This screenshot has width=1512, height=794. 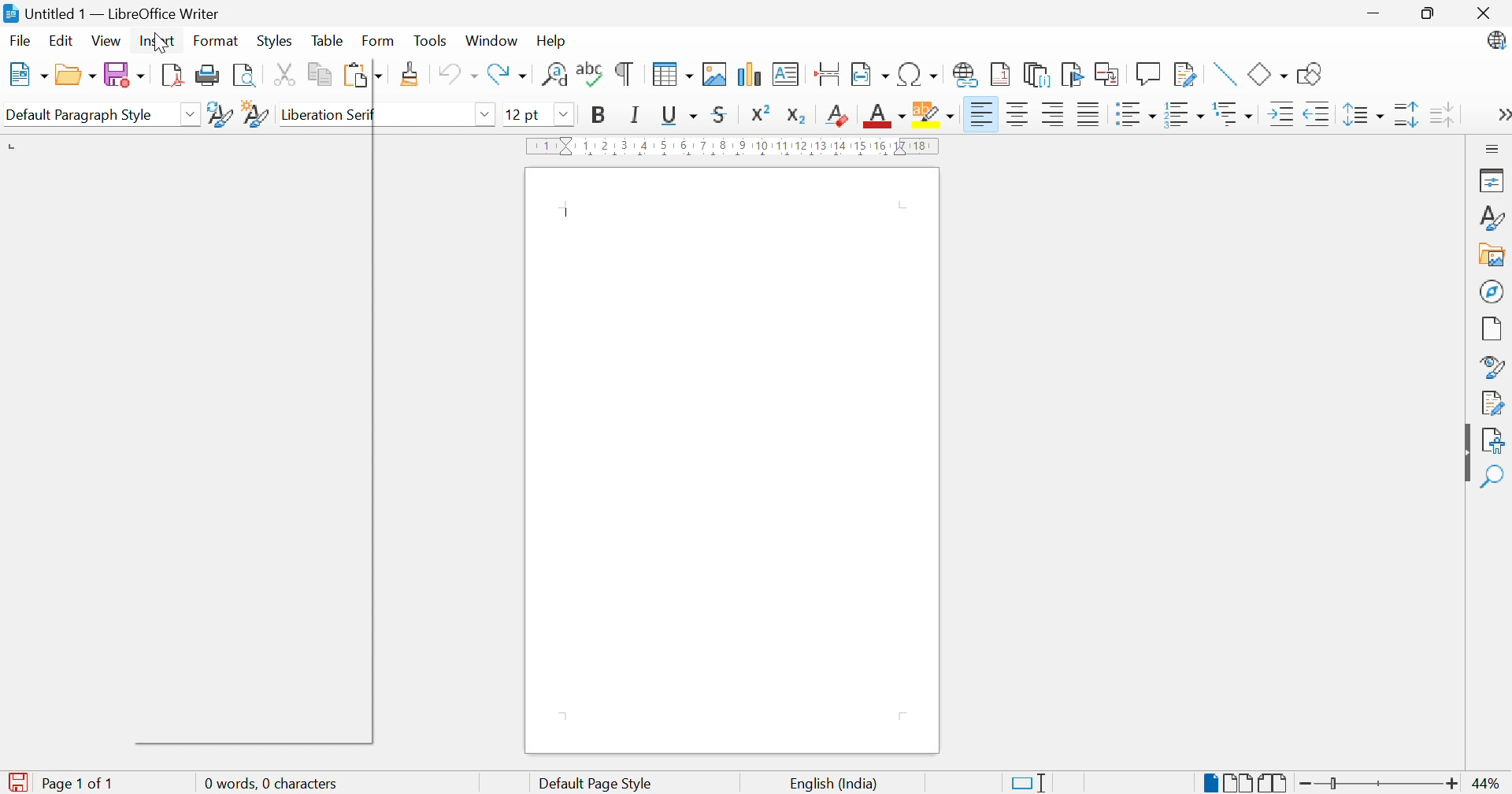 What do you see at coordinates (123, 13) in the screenshot?
I see `Untitled 1 - LibreOffice Writer` at bounding box center [123, 13].